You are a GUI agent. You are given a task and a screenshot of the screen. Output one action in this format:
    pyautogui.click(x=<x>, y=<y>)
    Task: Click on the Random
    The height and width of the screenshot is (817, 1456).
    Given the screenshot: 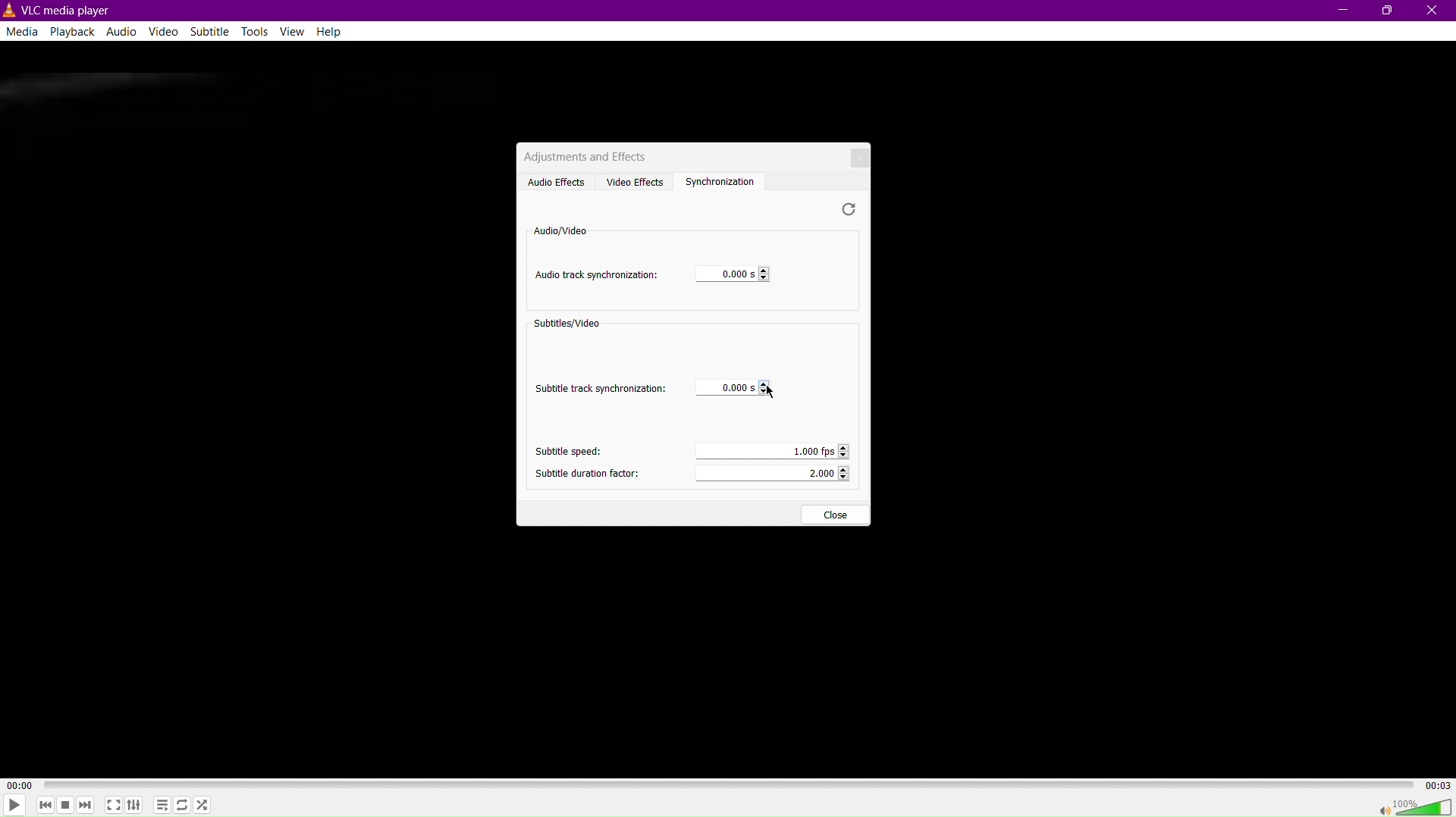 What is the action you would take?
    pyautogui.click(x=206, y=805)
    